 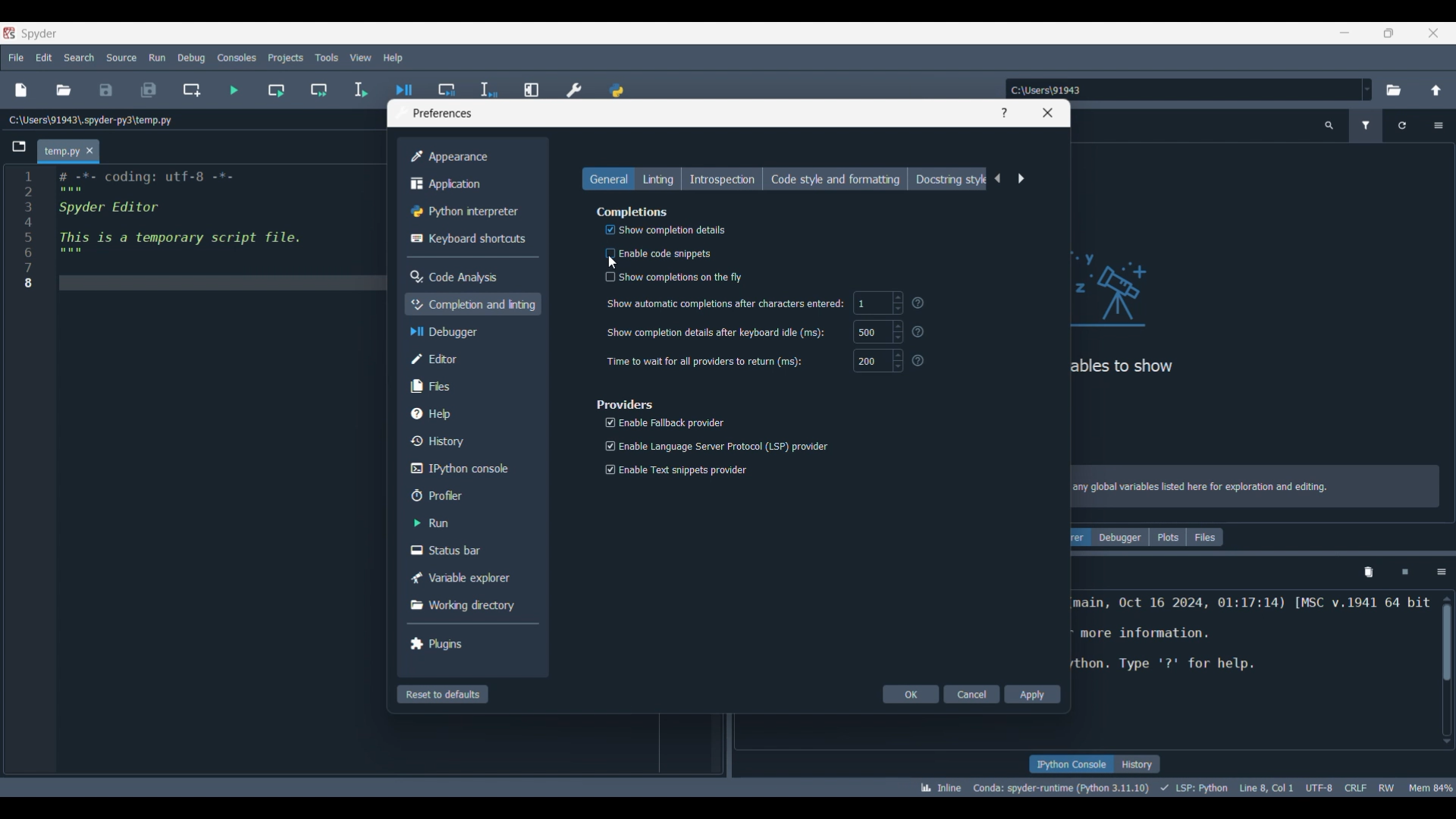 What do you see at coordinates (106, 90) in the screenshot?
I see `Save file` at bounding box center [106, 90].